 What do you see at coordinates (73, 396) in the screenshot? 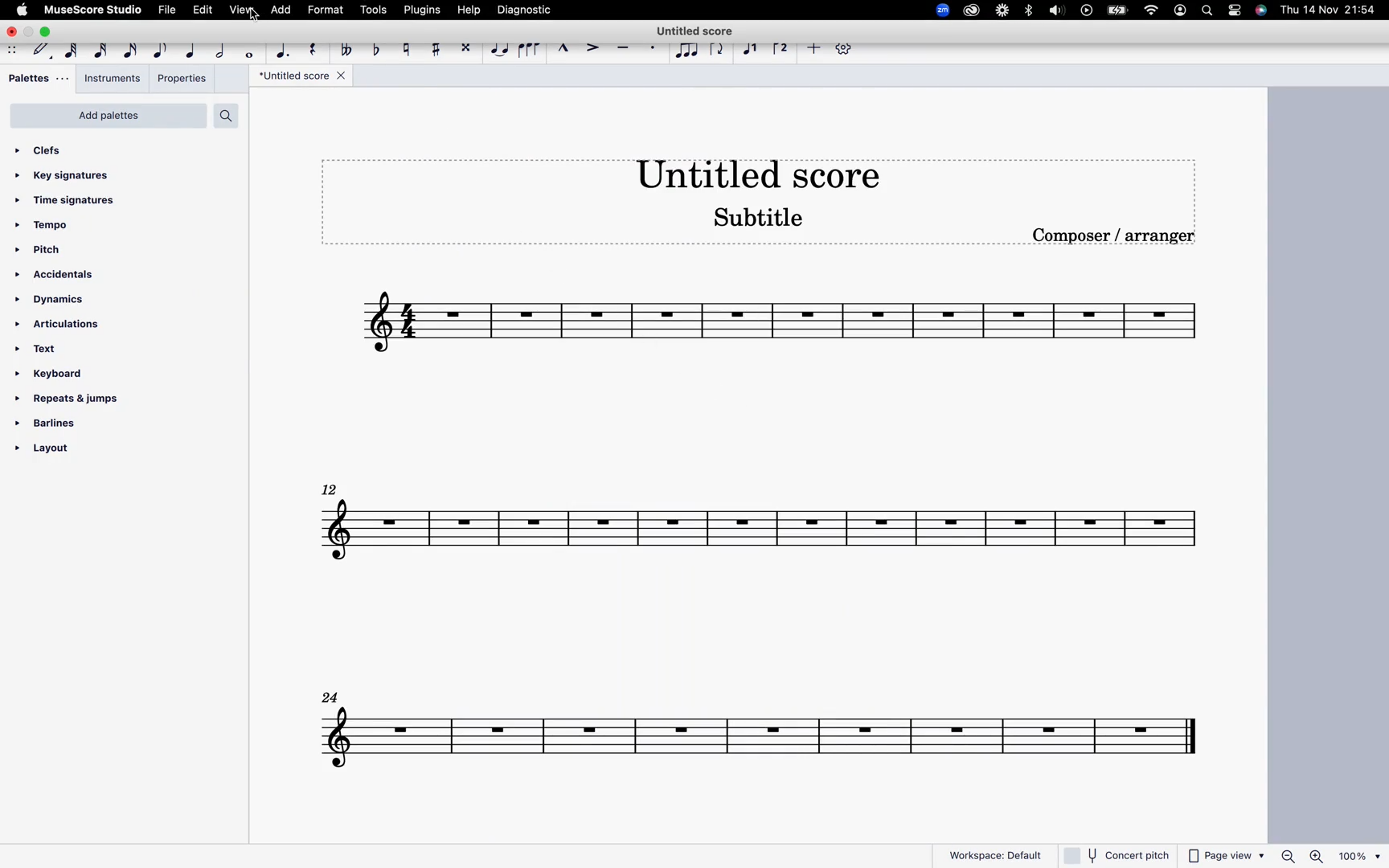
I see `repeats & jumps` at bounding box center [73, 396].